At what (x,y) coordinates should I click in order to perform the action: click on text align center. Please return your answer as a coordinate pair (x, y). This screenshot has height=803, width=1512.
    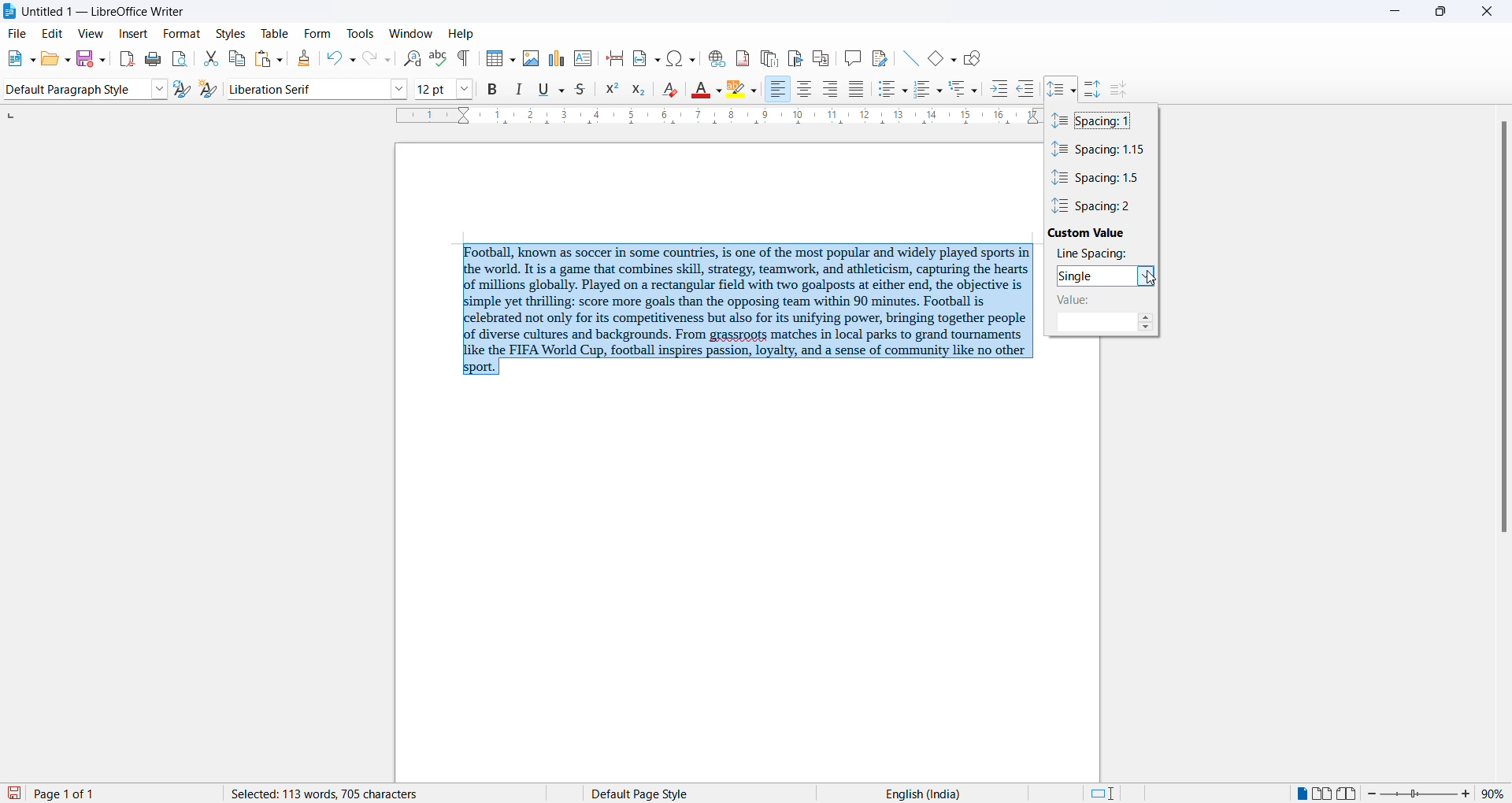
    Looking at the image, I should click on (805, 90).